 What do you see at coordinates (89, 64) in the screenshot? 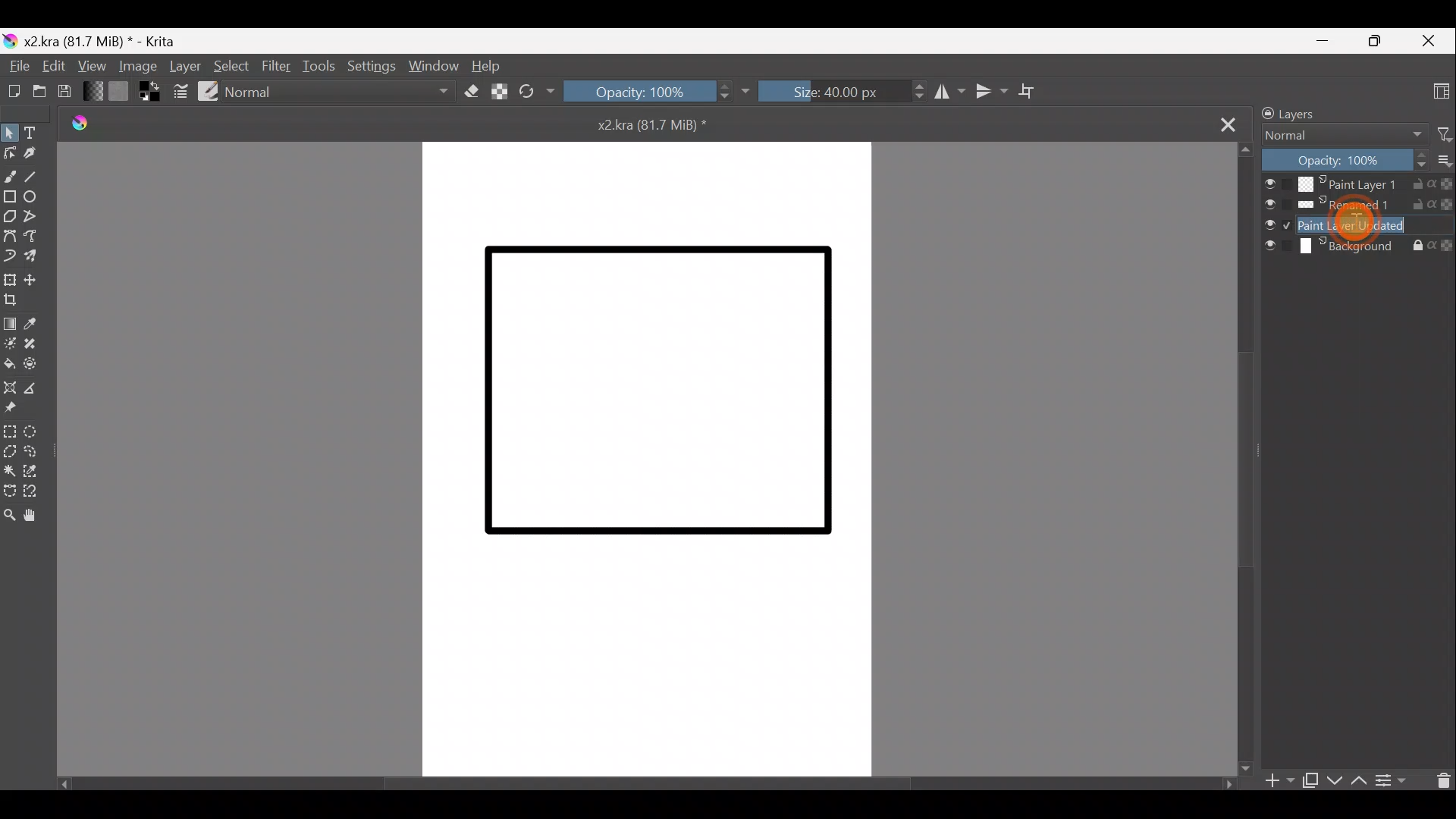
I see `View` at bounding box center [89, 64].